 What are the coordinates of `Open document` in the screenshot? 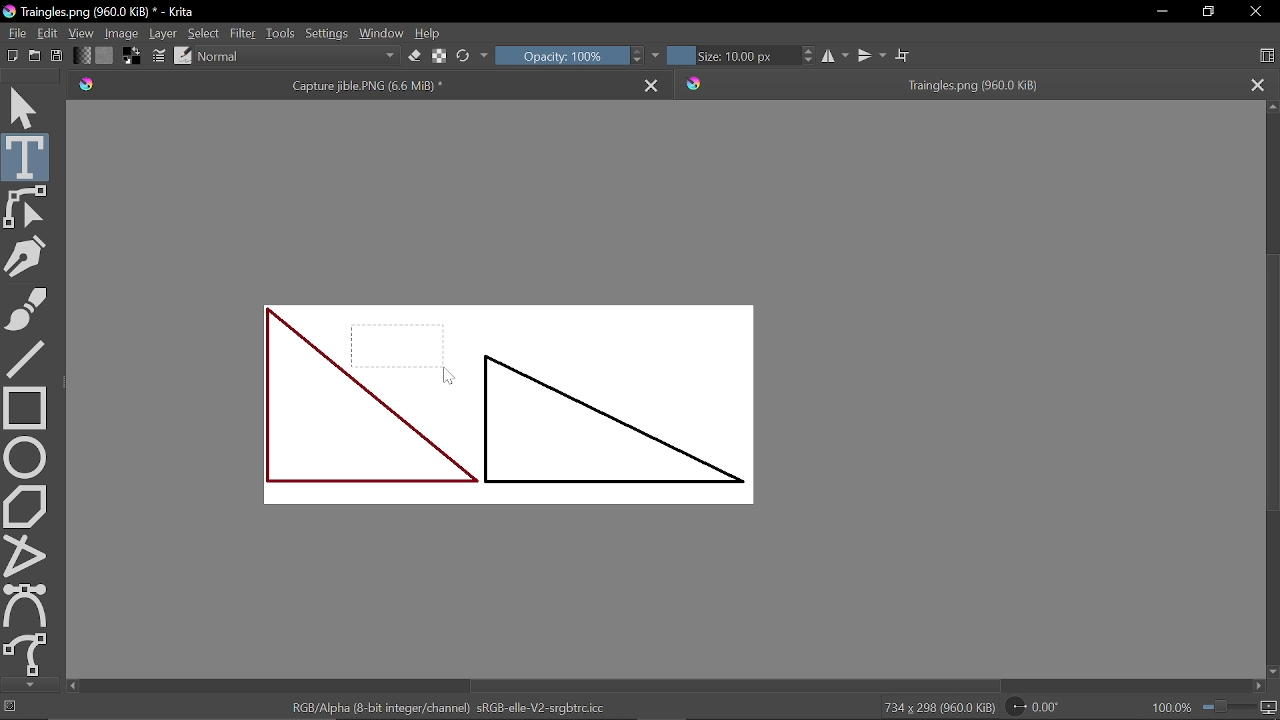 It's located at (34, 58).